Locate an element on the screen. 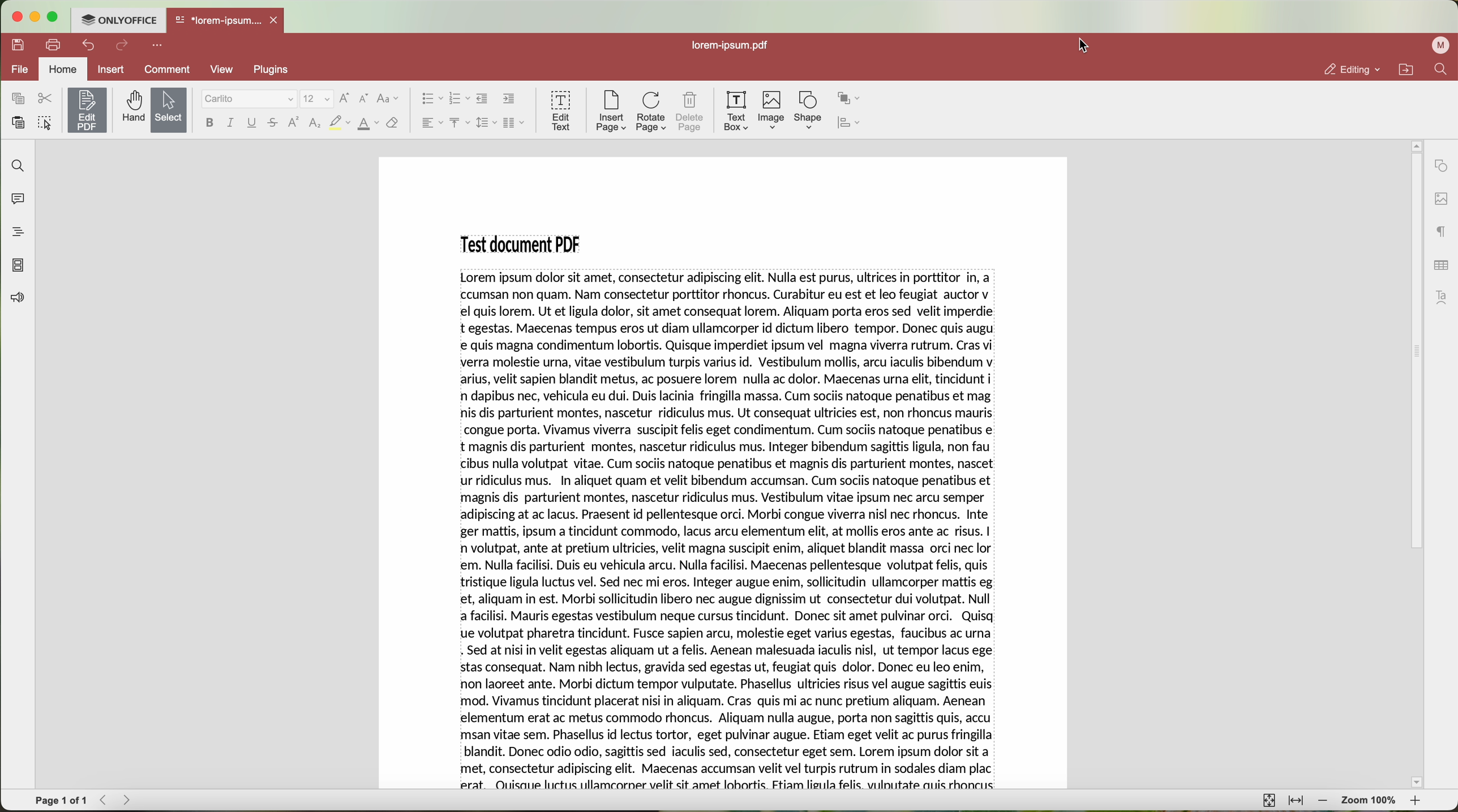 The image size is (1458, 812). fit to page is located at coordinates (1270, 801).